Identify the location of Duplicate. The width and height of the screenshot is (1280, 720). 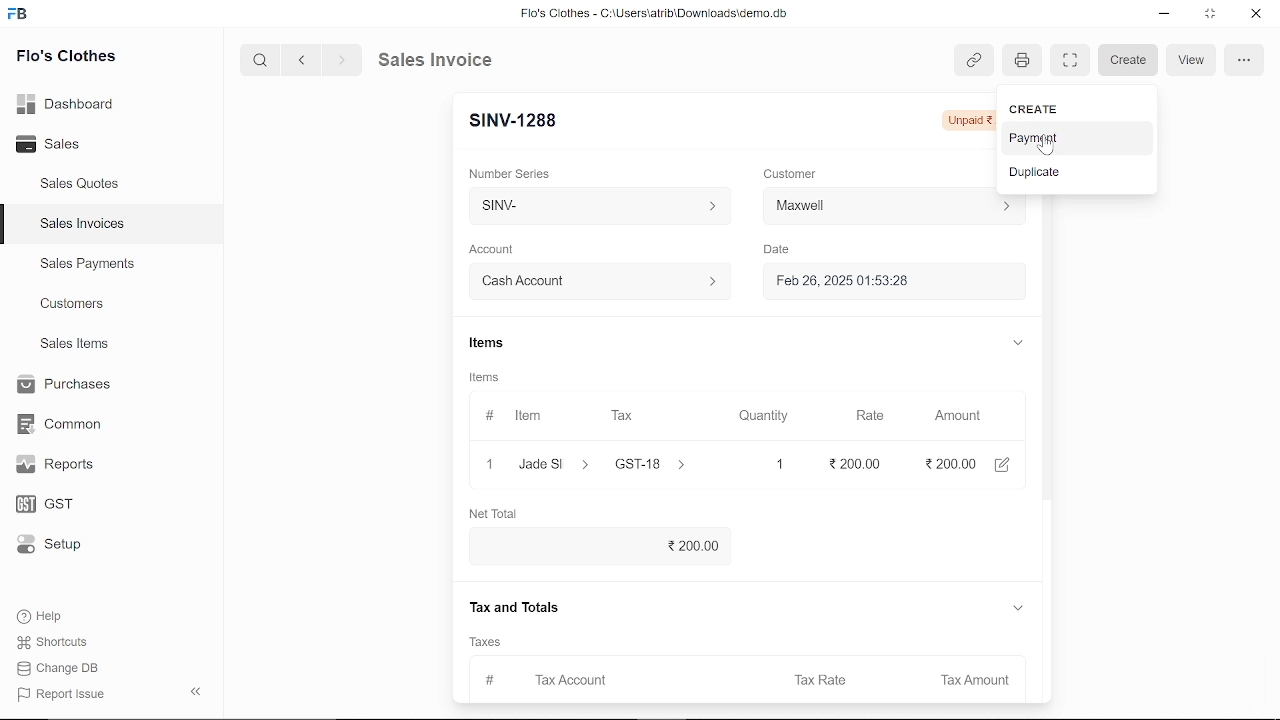
(1076, 173).